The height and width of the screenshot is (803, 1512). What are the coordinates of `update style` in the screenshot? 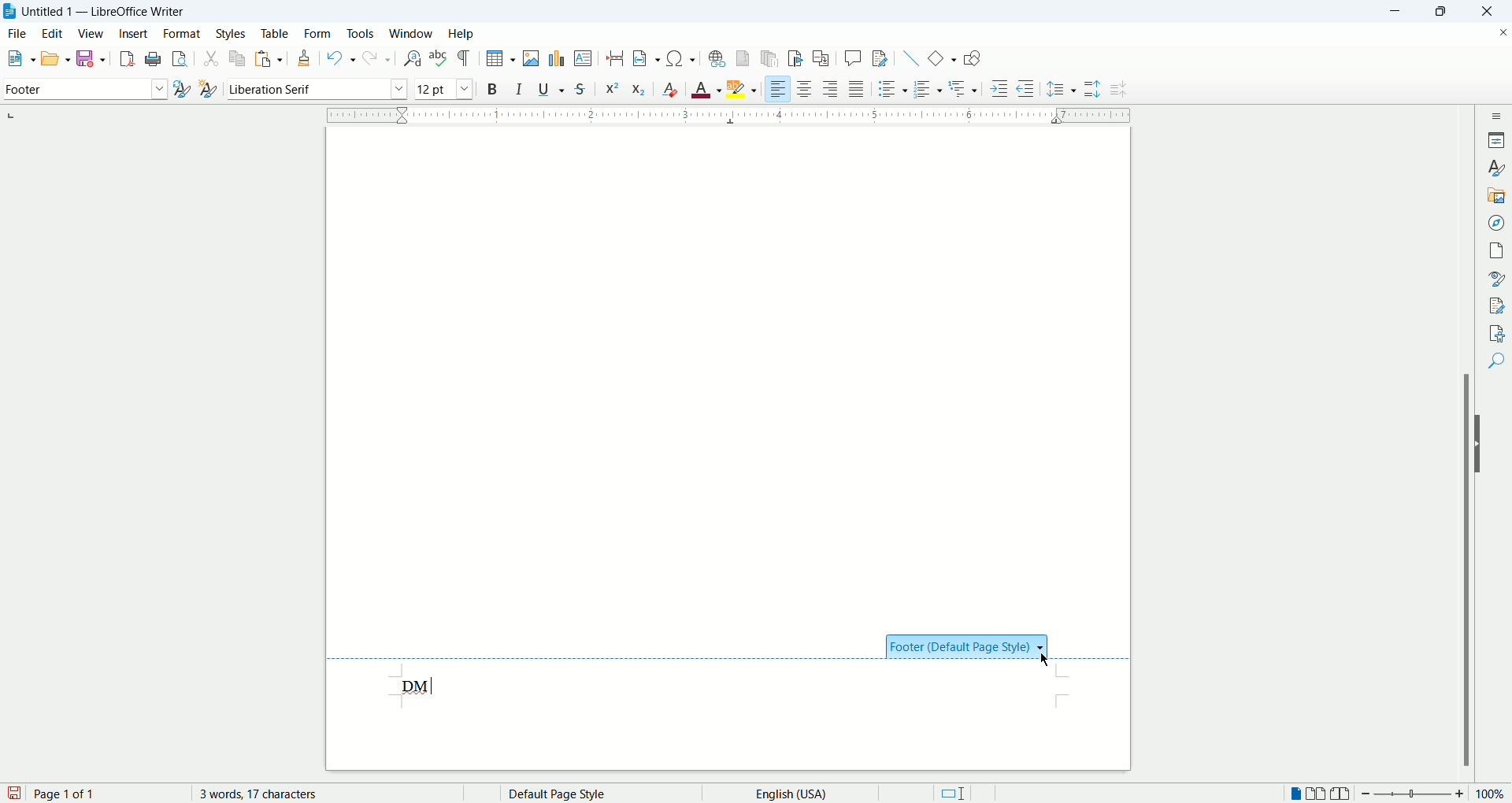 It's located at (181, 90).